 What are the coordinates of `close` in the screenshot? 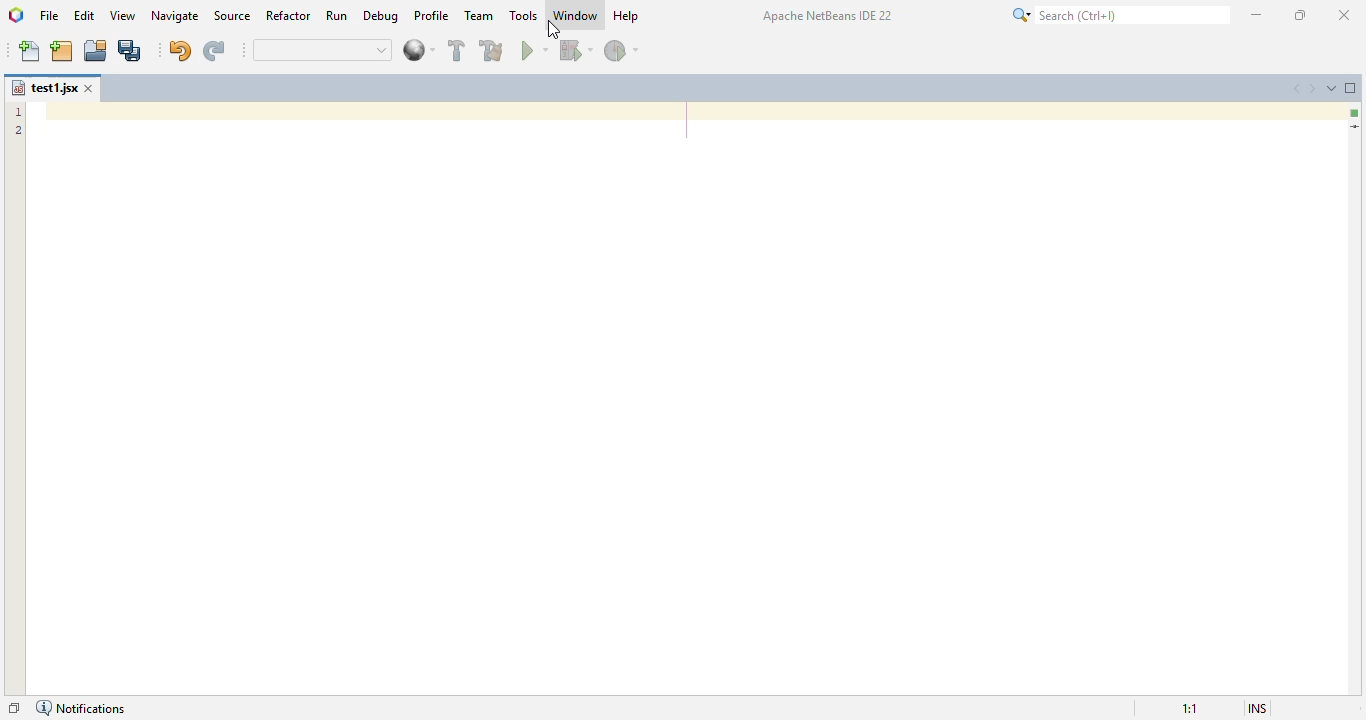 It's located at (1345, 14).